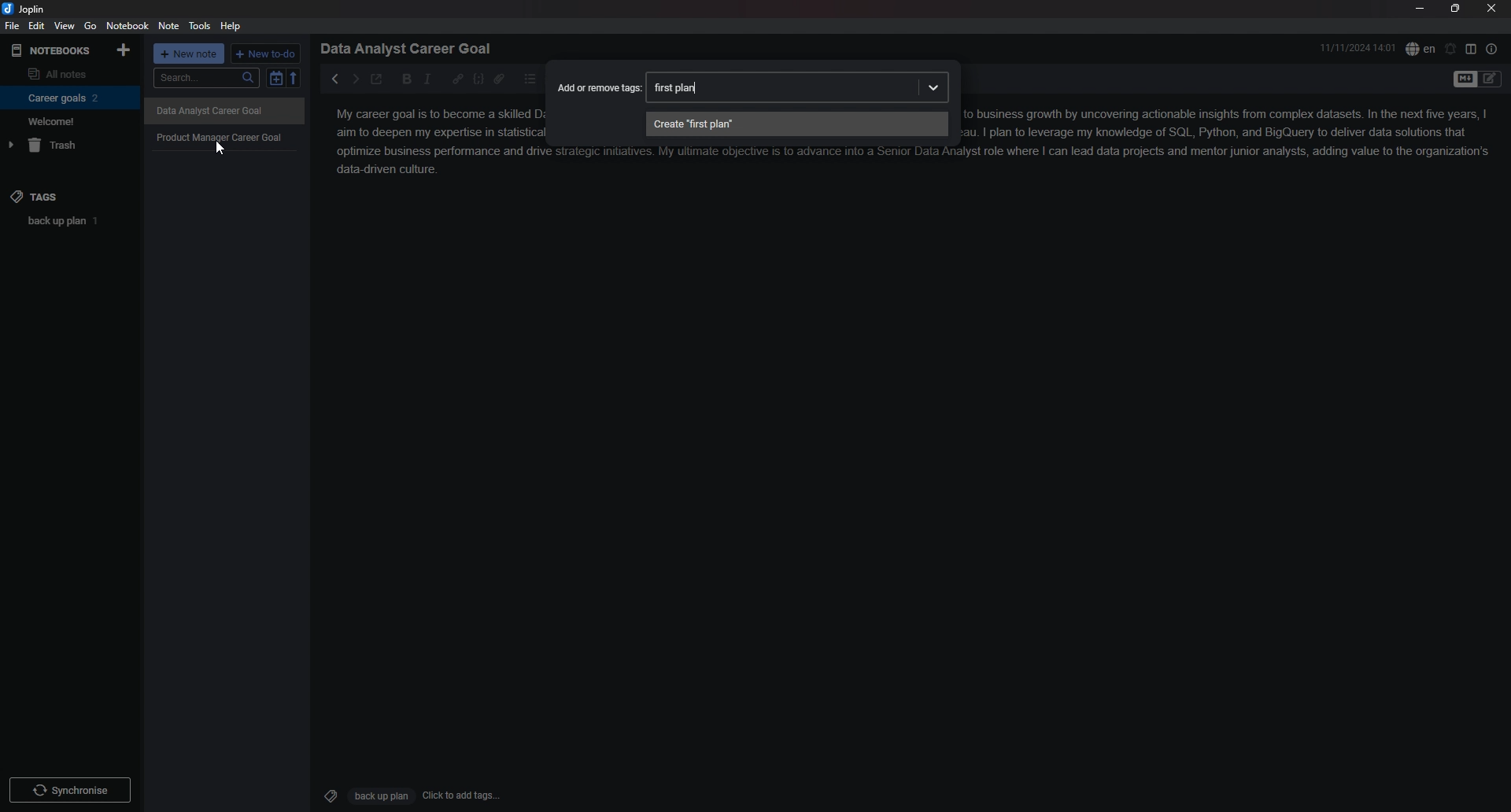  I want to click on set alarm, so click(1451, 49).